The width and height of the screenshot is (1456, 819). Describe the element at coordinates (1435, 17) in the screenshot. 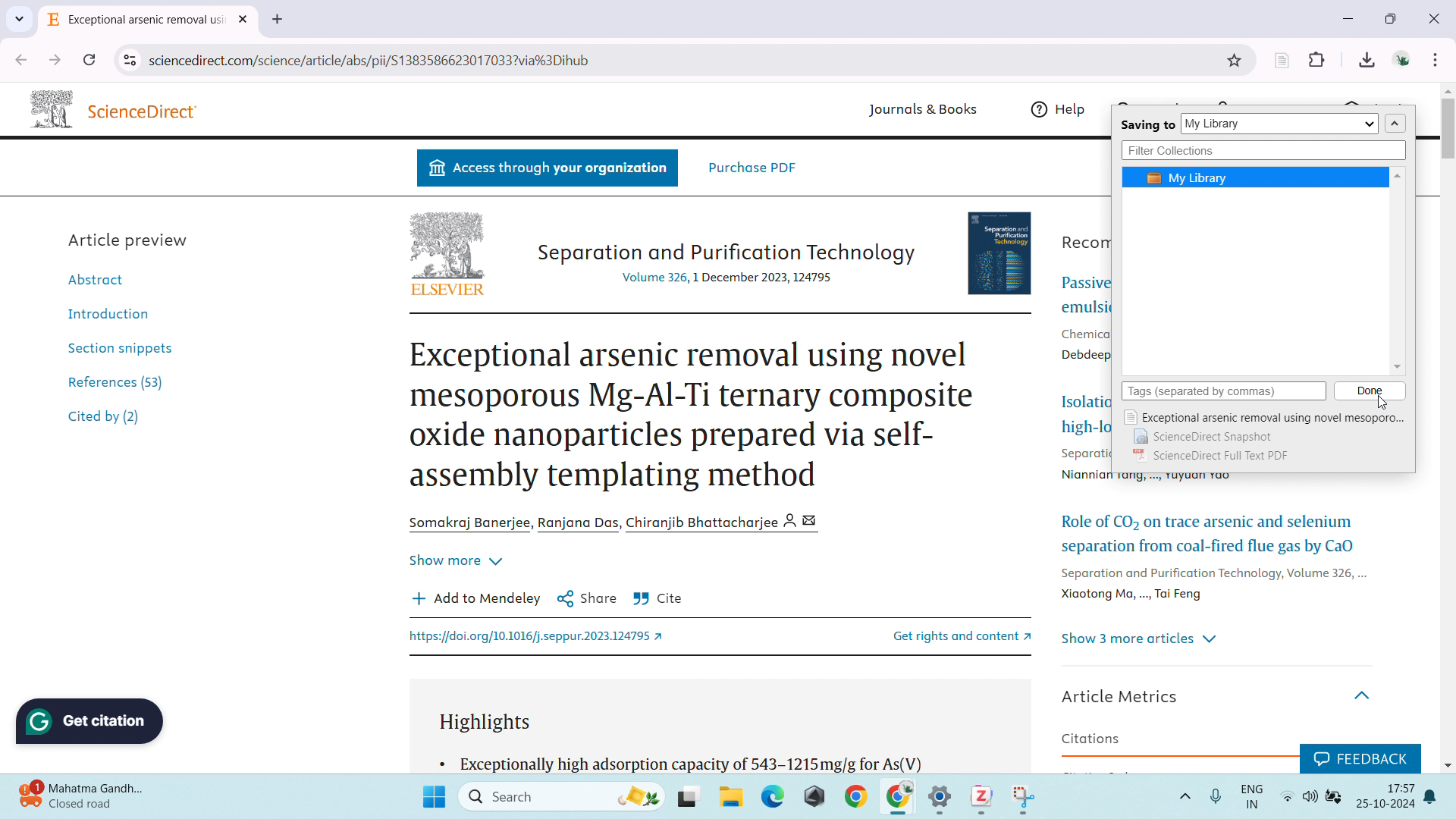

I see `close` at that location.